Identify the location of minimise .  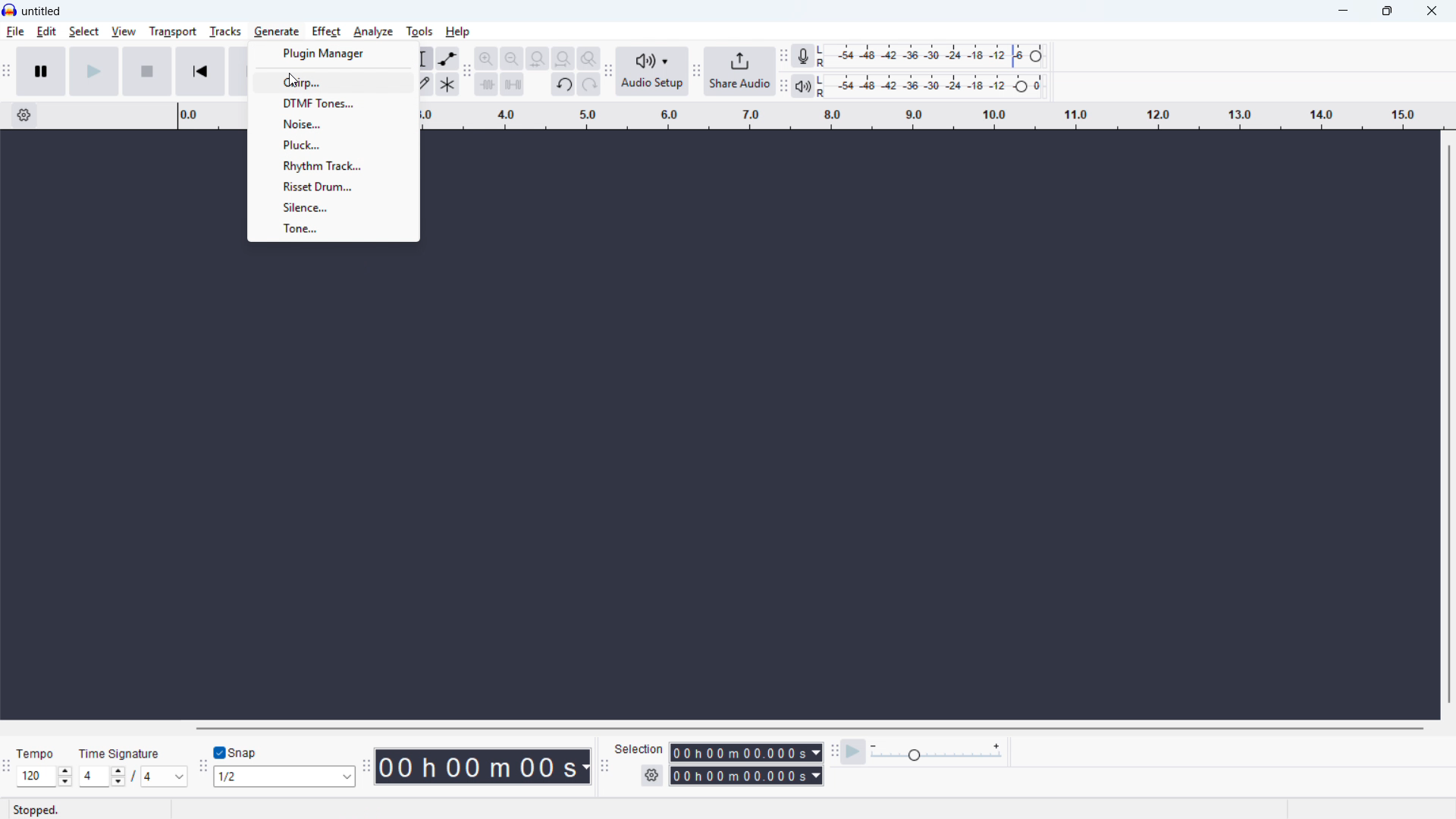
(1345, 11).